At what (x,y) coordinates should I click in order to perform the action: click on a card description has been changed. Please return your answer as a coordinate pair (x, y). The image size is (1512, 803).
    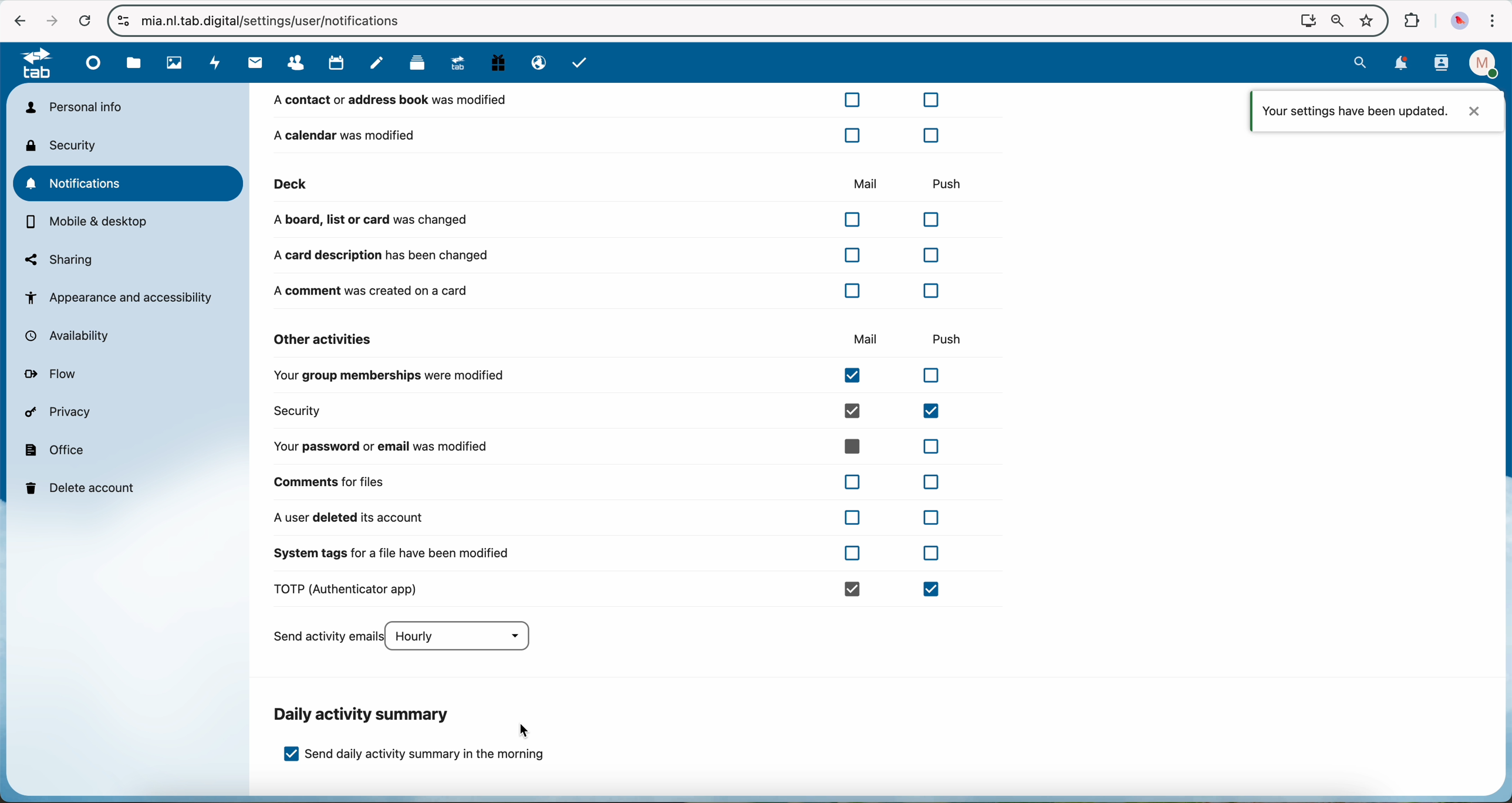
    Looking at the image, I should click on (606, 255).